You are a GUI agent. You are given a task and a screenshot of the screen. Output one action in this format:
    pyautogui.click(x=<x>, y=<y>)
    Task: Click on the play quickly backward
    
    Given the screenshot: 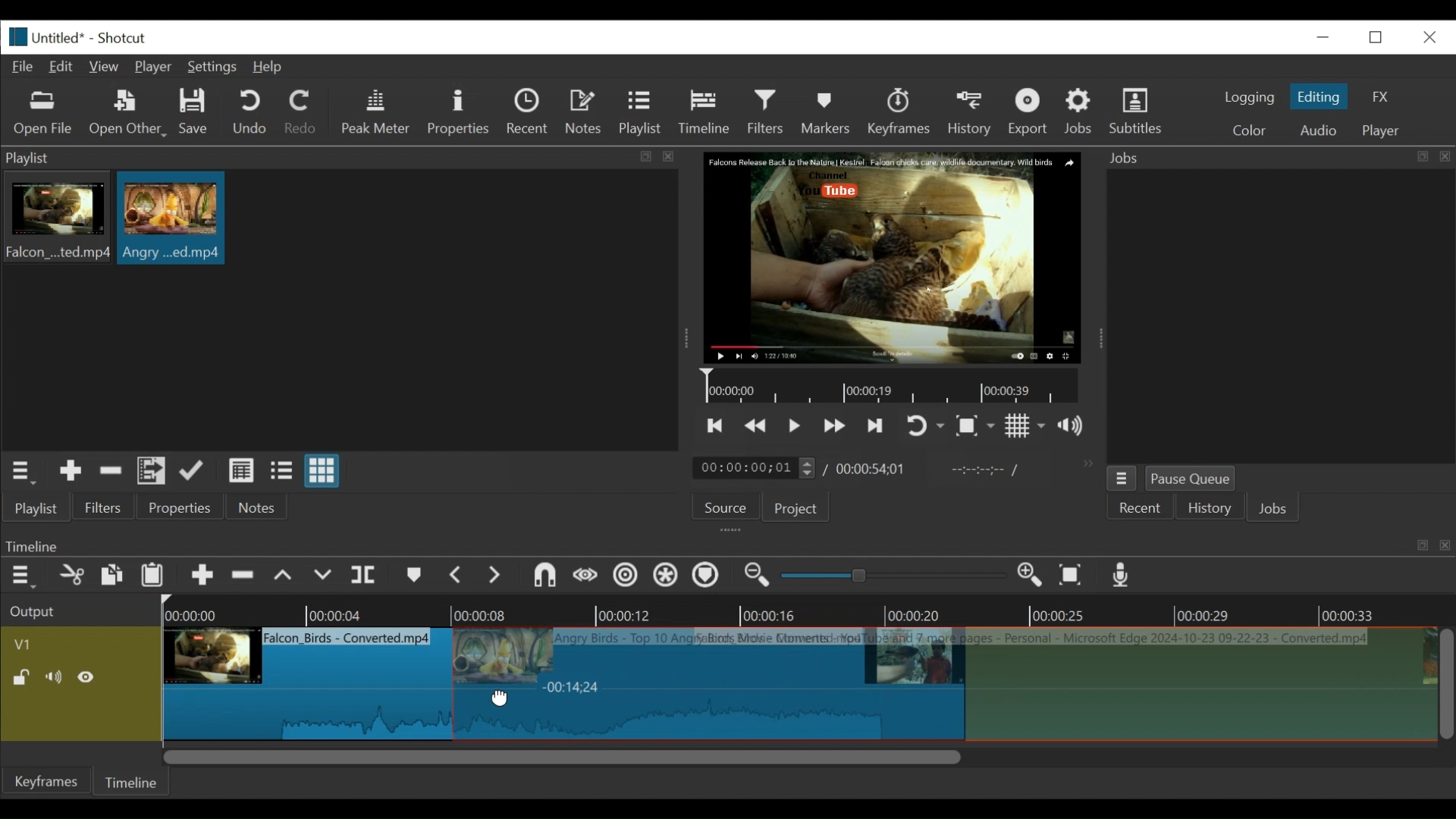 What is the action you would take?
    pyautogui.click(x=756, y=426)
    